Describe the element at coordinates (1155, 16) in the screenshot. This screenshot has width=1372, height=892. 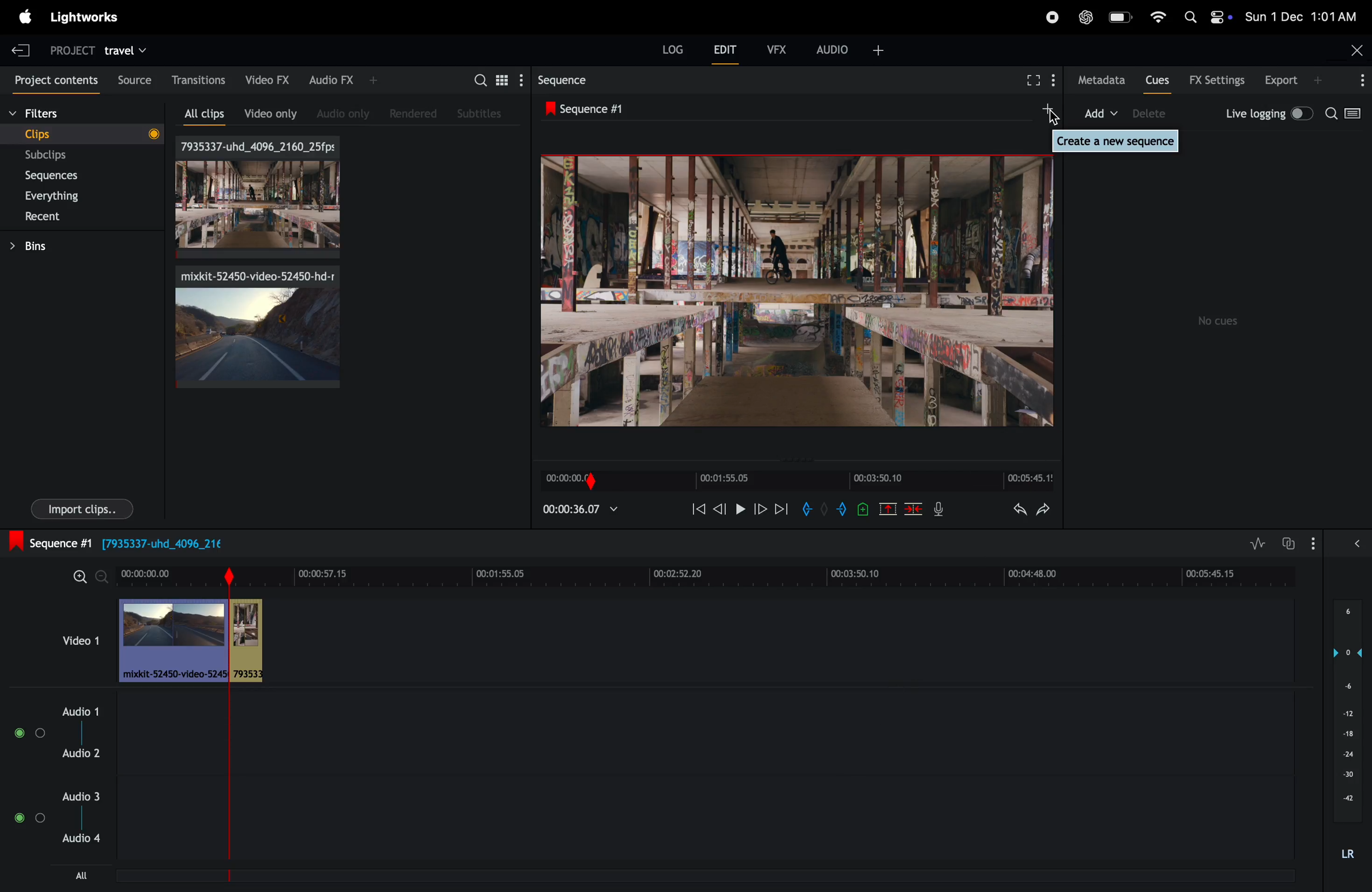
I see `wifi` at that location.